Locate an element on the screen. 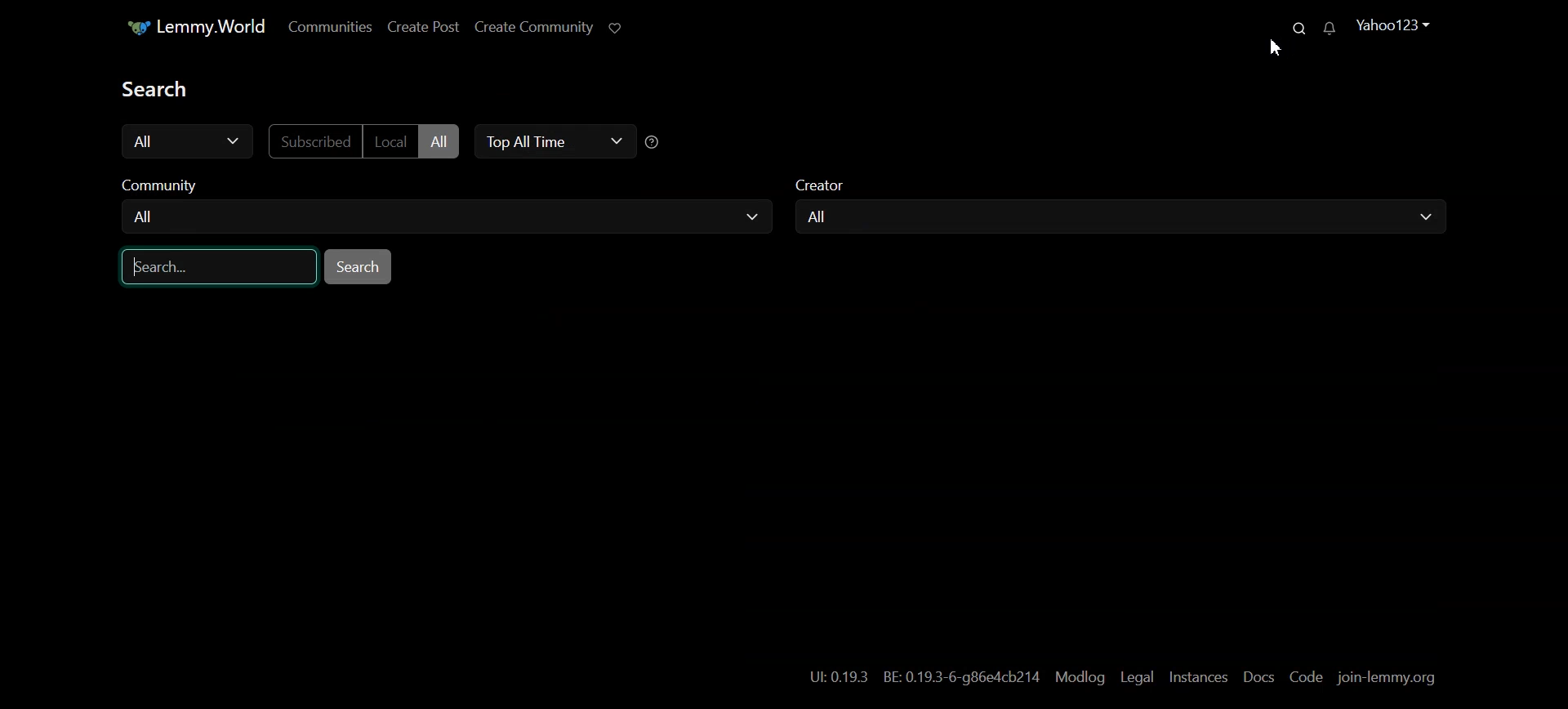  Support Limmy is located at coordinates (615, 29).